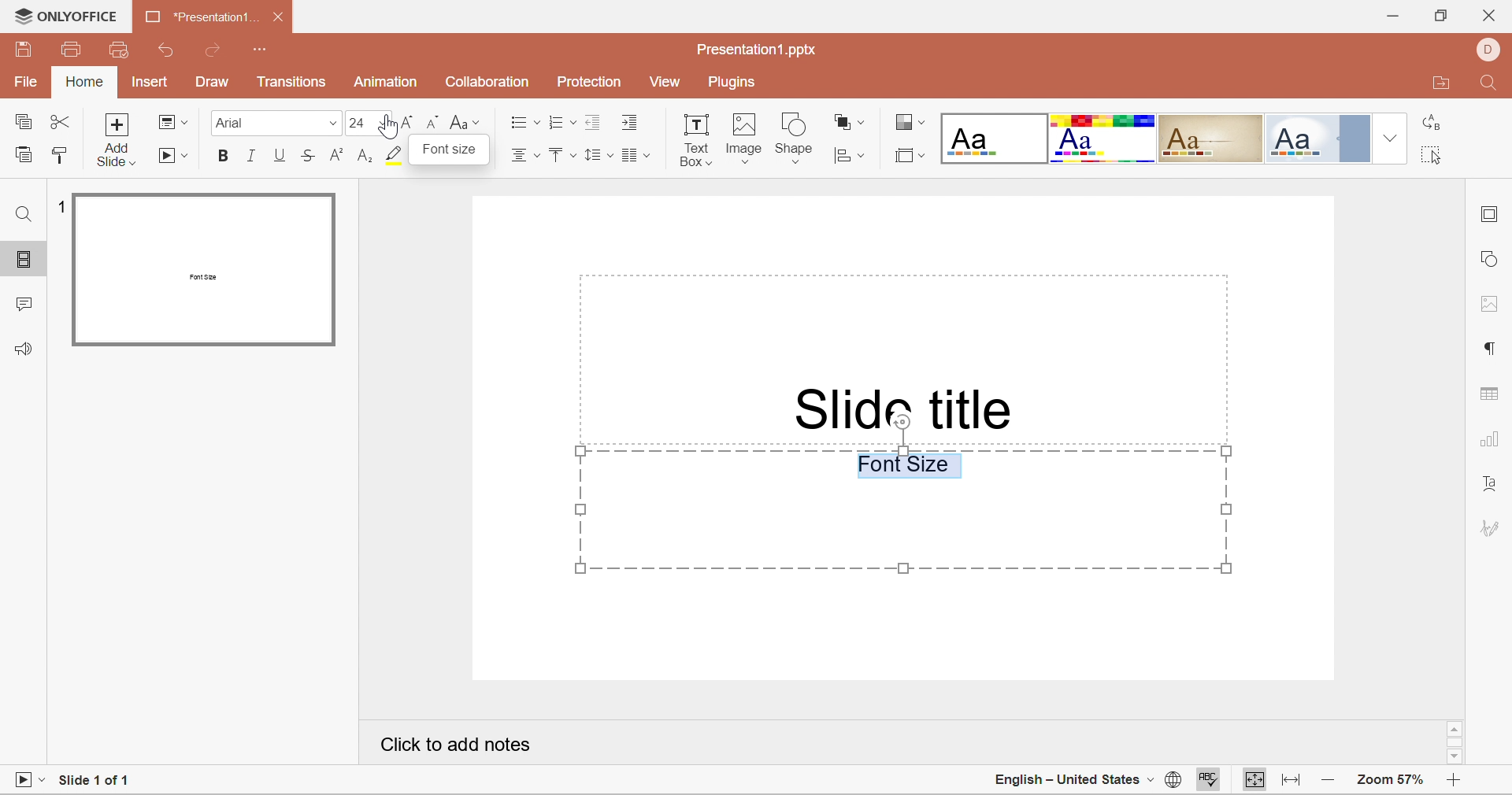  Describe the element at coordinates (26, 54) in the screenshot. I see `Save` at that location.